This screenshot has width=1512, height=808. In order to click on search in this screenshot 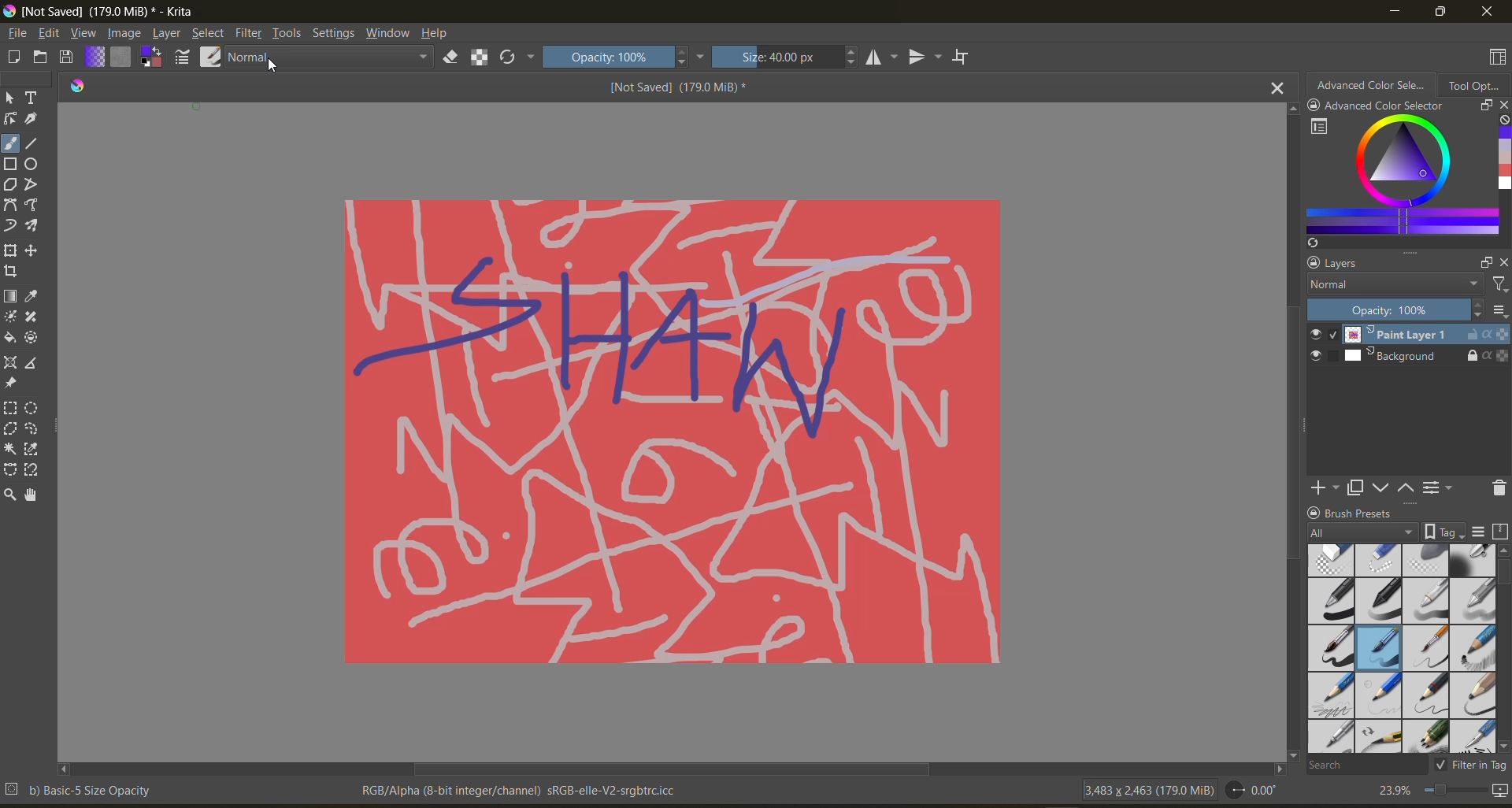, I will do `click(1363, 765)`.